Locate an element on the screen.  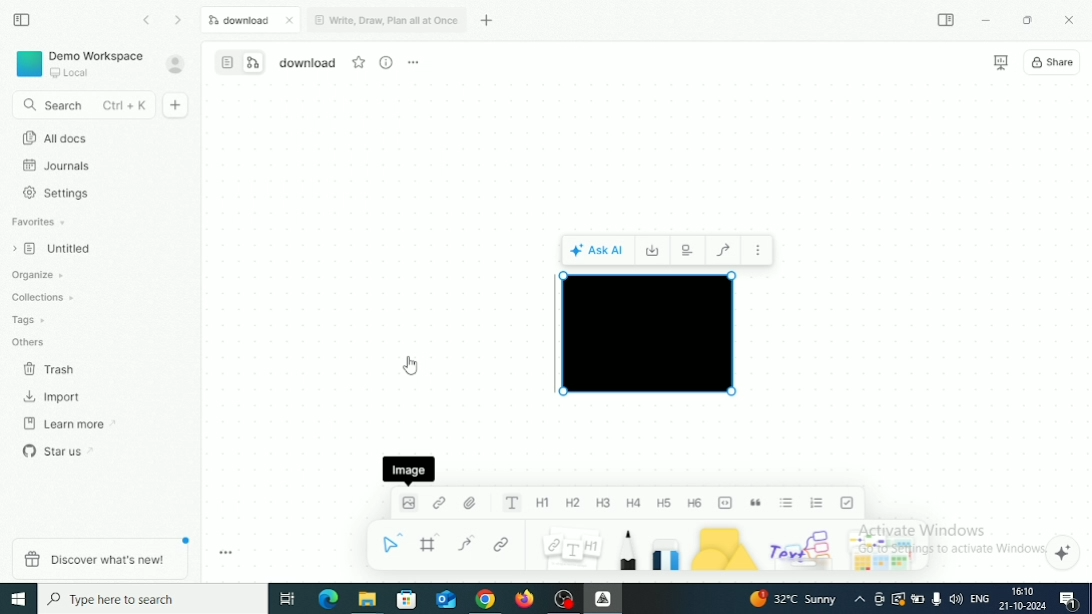
Download is located at coordinates (655, 250).